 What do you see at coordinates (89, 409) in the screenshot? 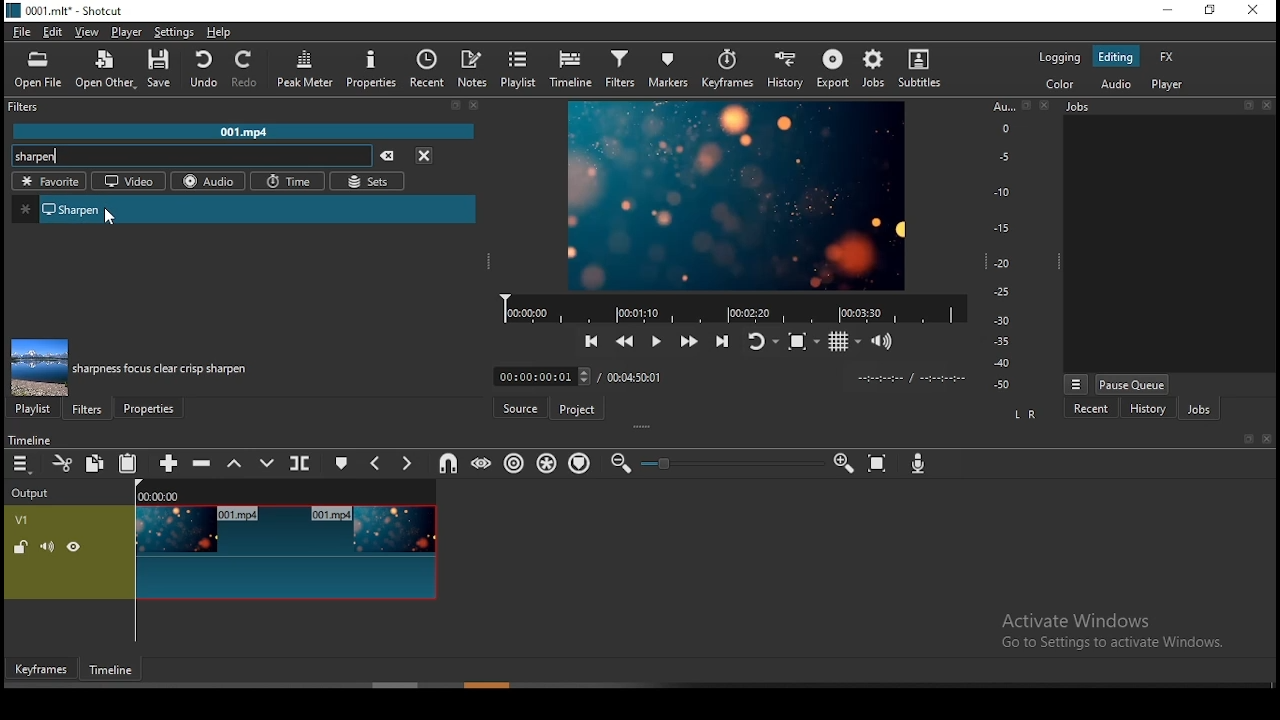
I see `filters` at bounding box center [89, 409].